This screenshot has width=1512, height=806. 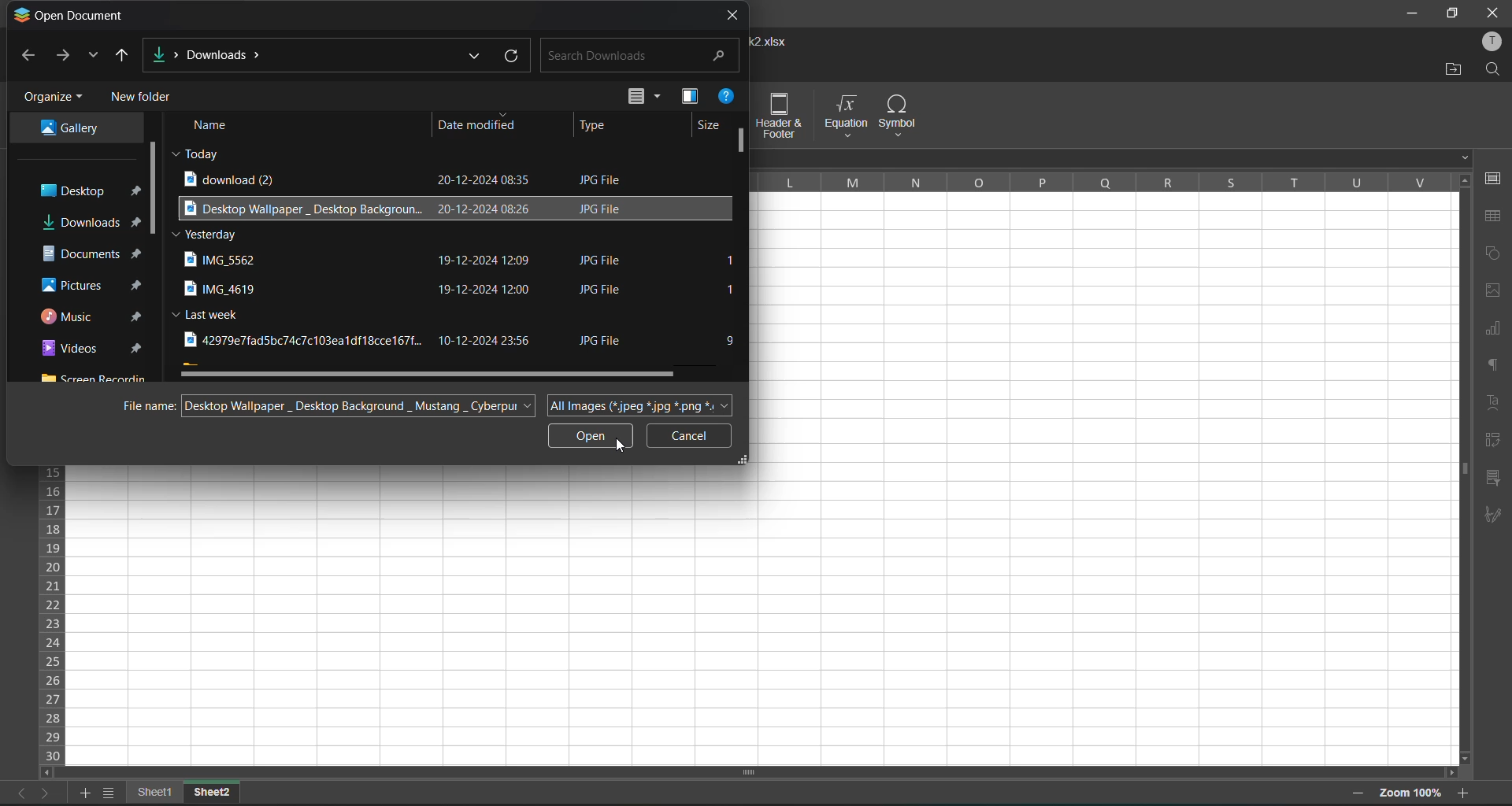 What do you see at coordinates (150, 408) in the screenshot?
I see `file name` at bounding box center [150, 408].